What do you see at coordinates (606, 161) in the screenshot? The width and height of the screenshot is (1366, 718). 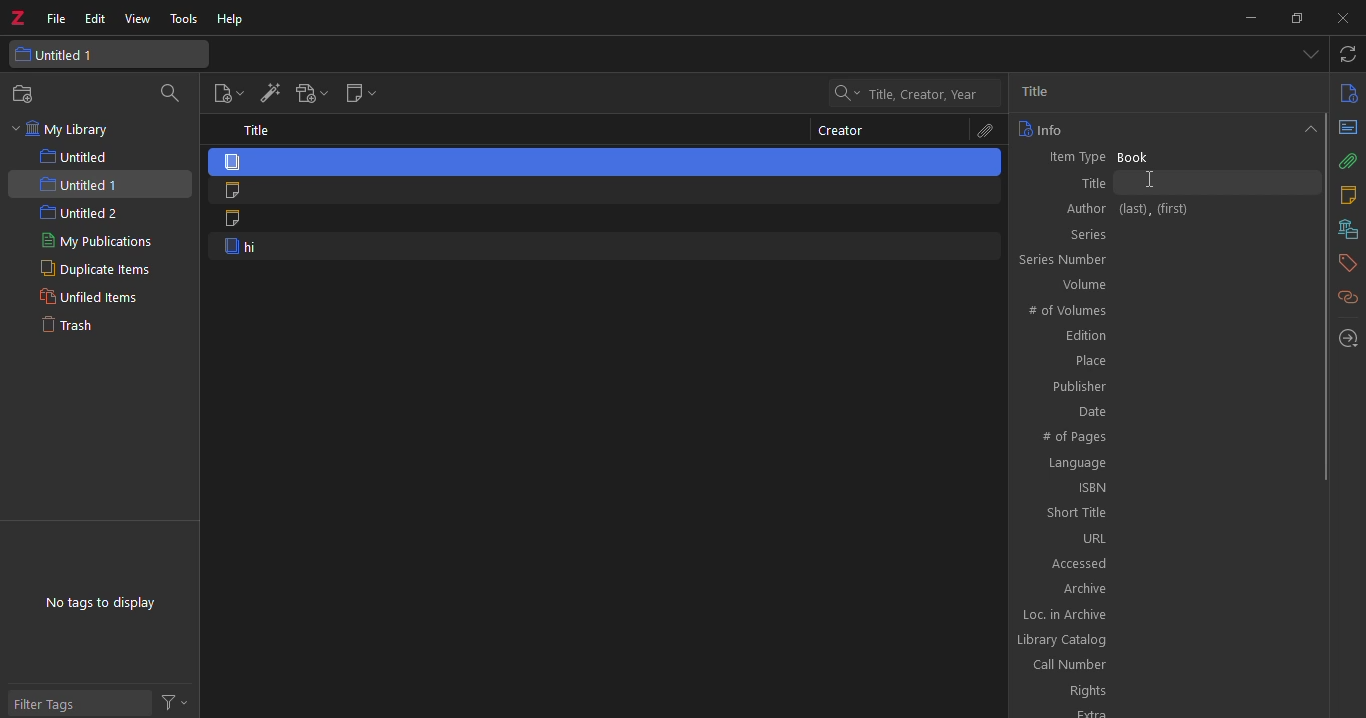 I see `selected item` at bounding box center [606, 161].